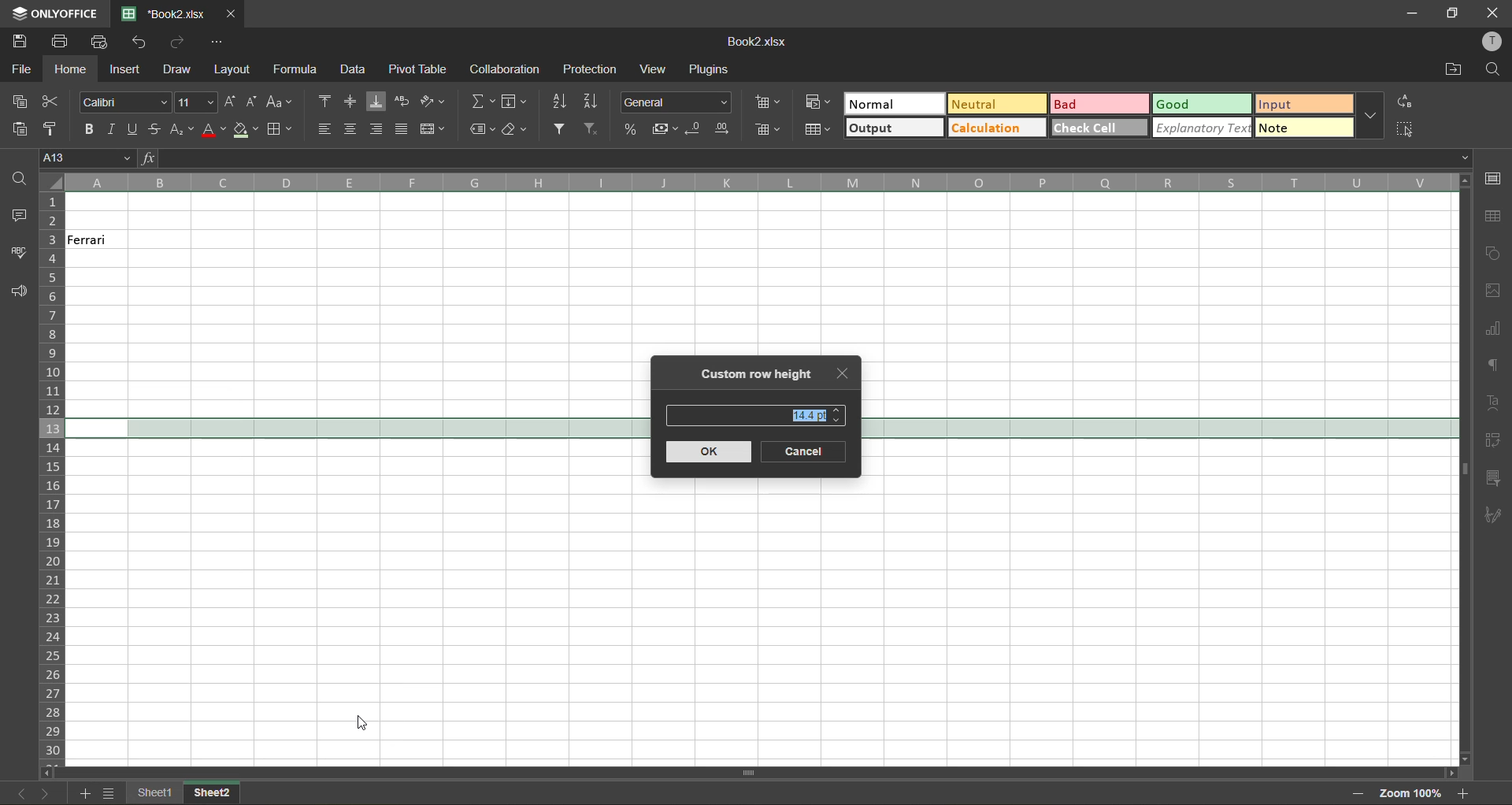 The width and height of the screenshot is (1512, 805). Describe the element at coordinates (566, 102) in the screenshot. I see `sort ascending` at that location.